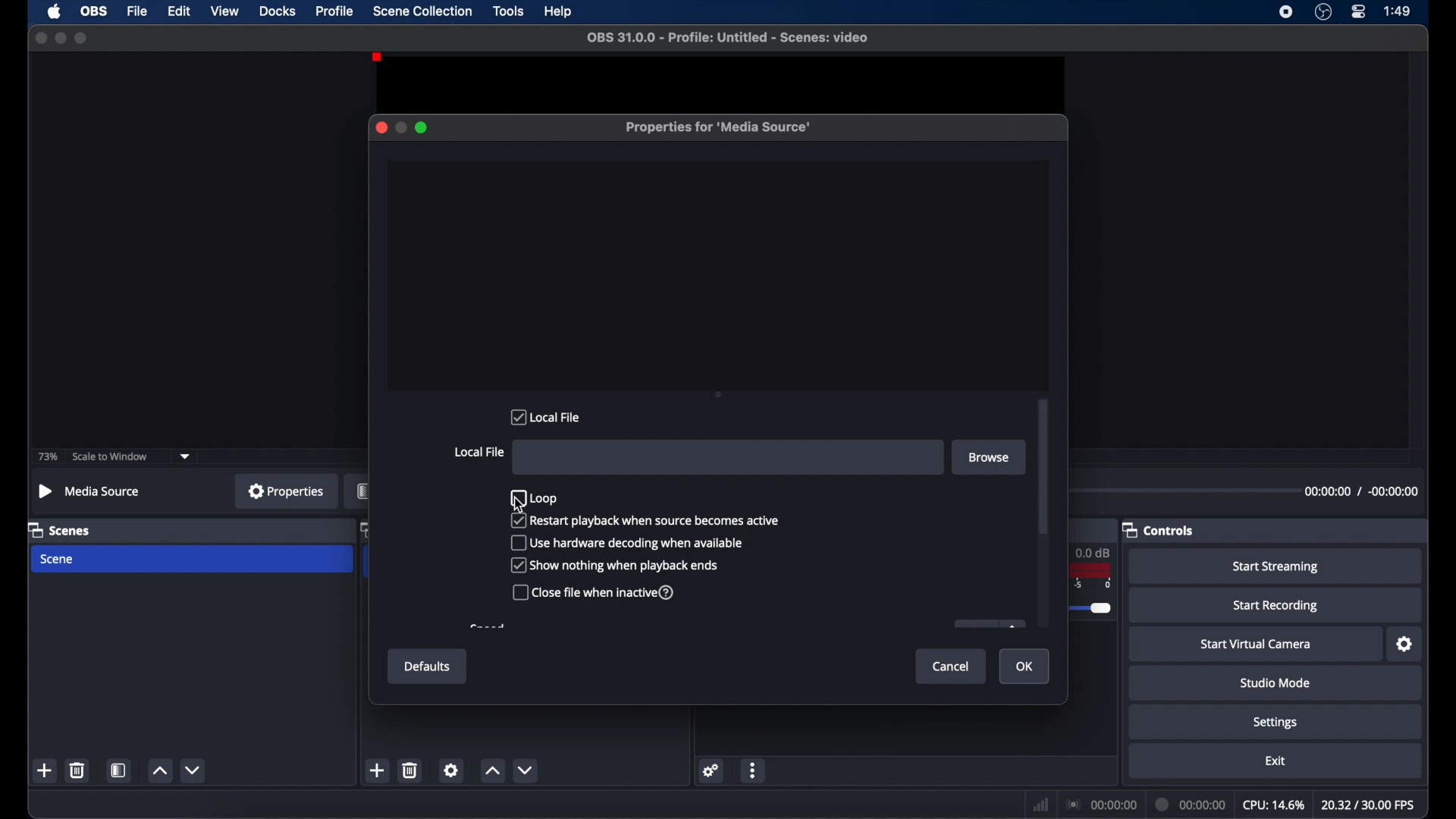 Image resolution: width=1456 pixels, height=819 pixels. I want to click on add, so click(378, 769).